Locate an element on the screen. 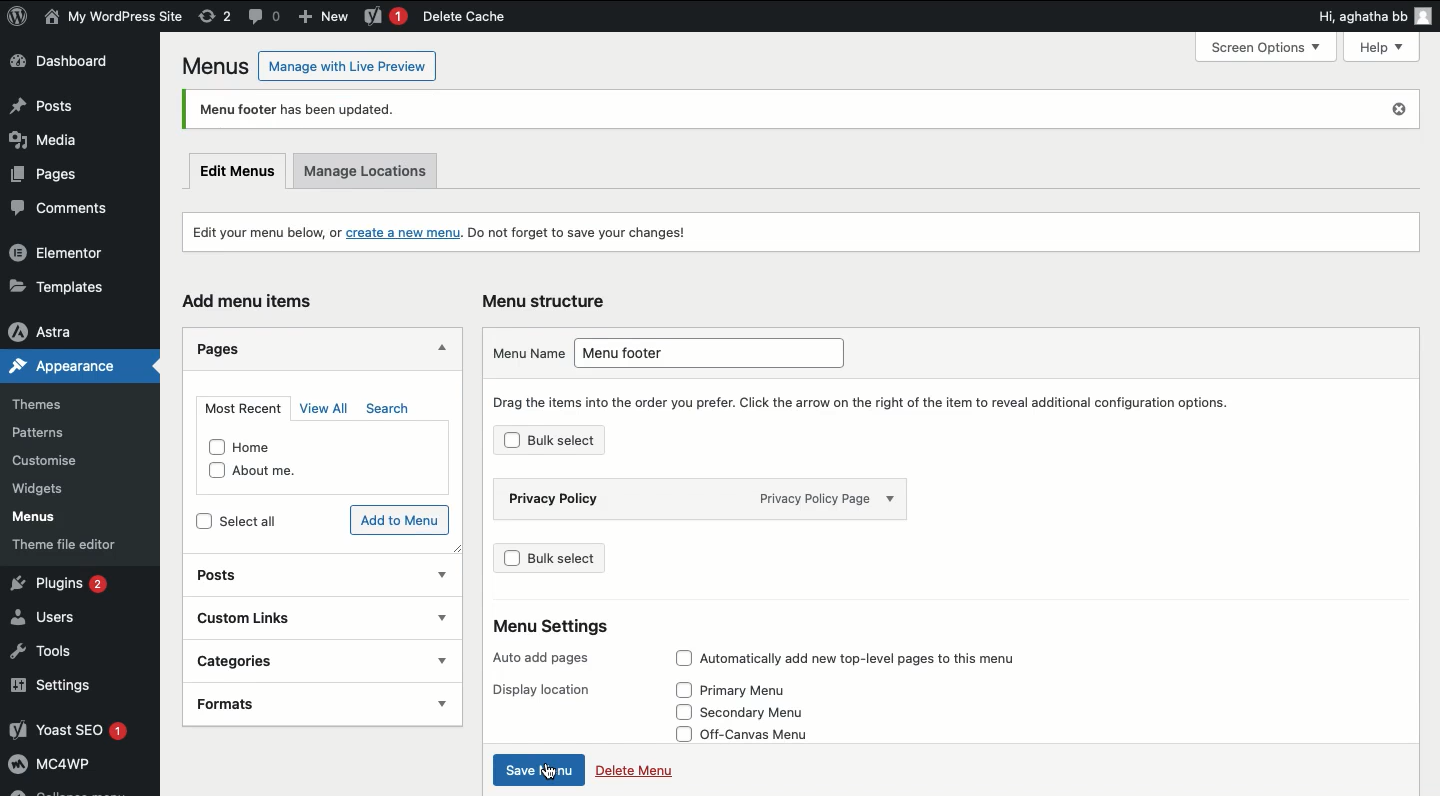 The height and width of the screenshot is (796, 1440). Menu footer is located at coordinates (708, 355).